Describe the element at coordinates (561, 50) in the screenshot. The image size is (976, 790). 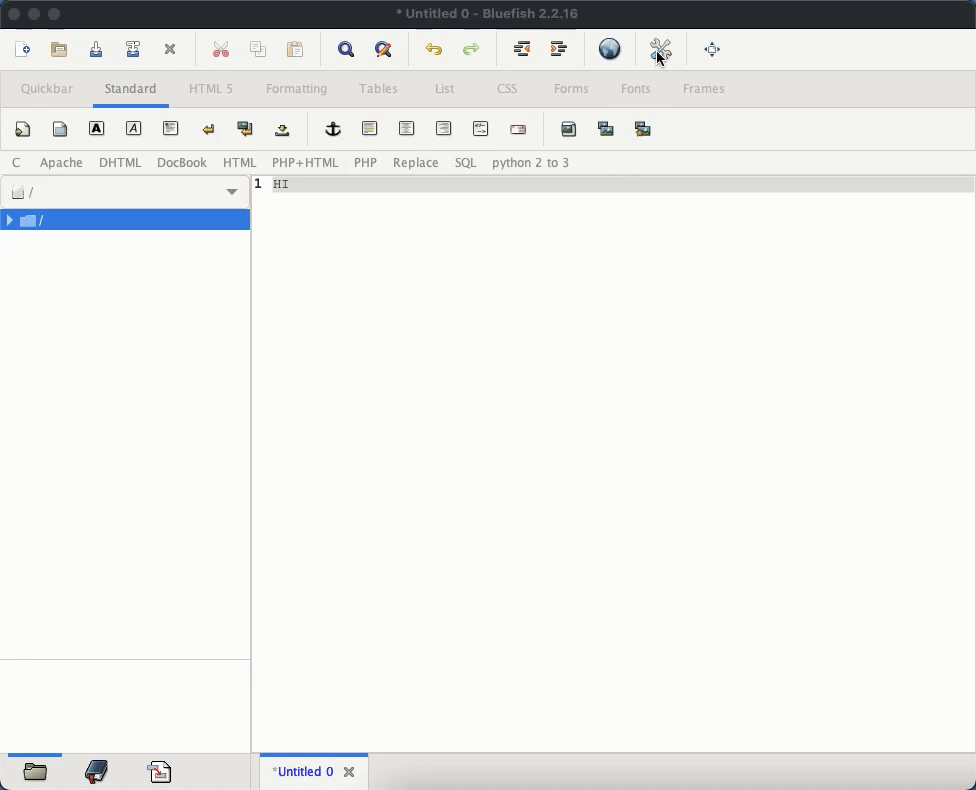
I see `indent` at that location.